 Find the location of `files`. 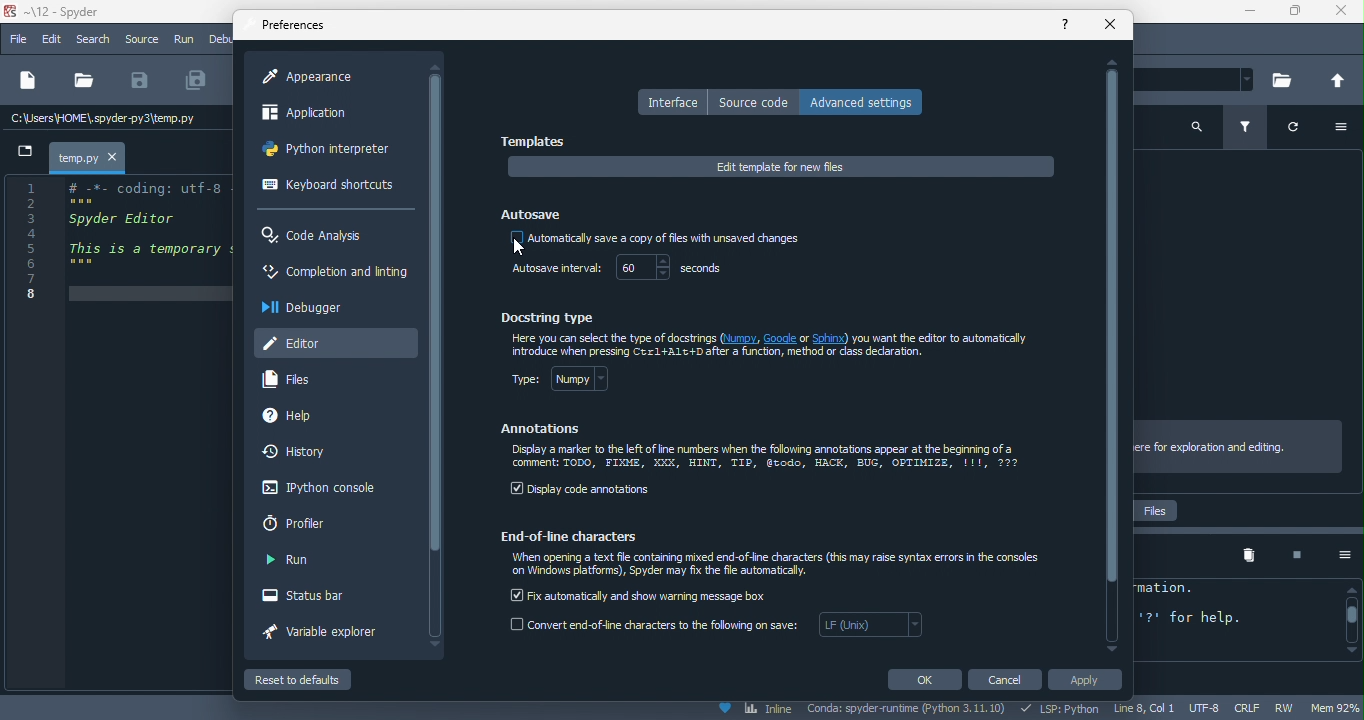

files is located at coordinates (296, 380).